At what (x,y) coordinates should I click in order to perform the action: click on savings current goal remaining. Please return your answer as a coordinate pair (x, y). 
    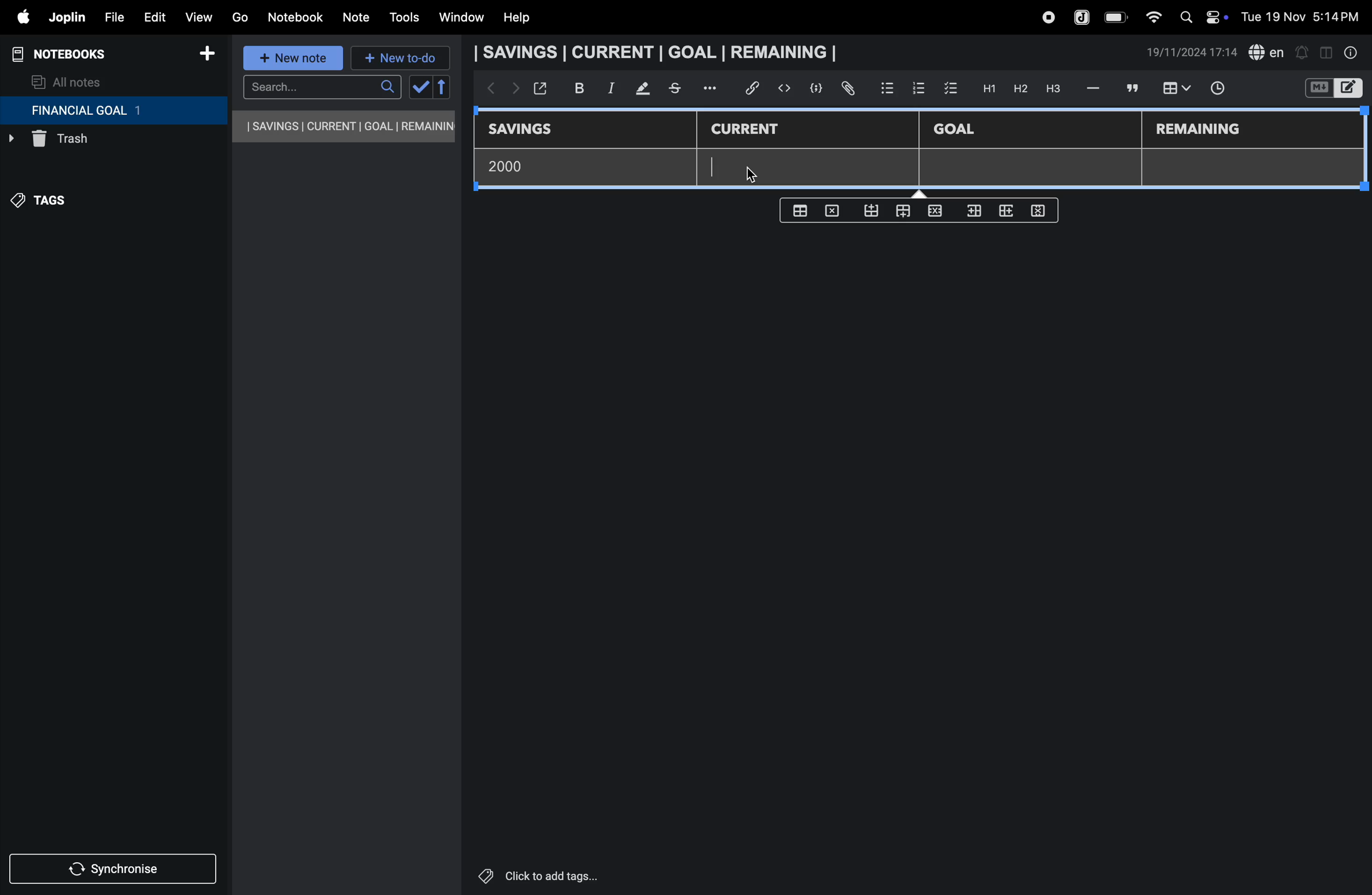
    Looking at the image, I should click on (345, 126).